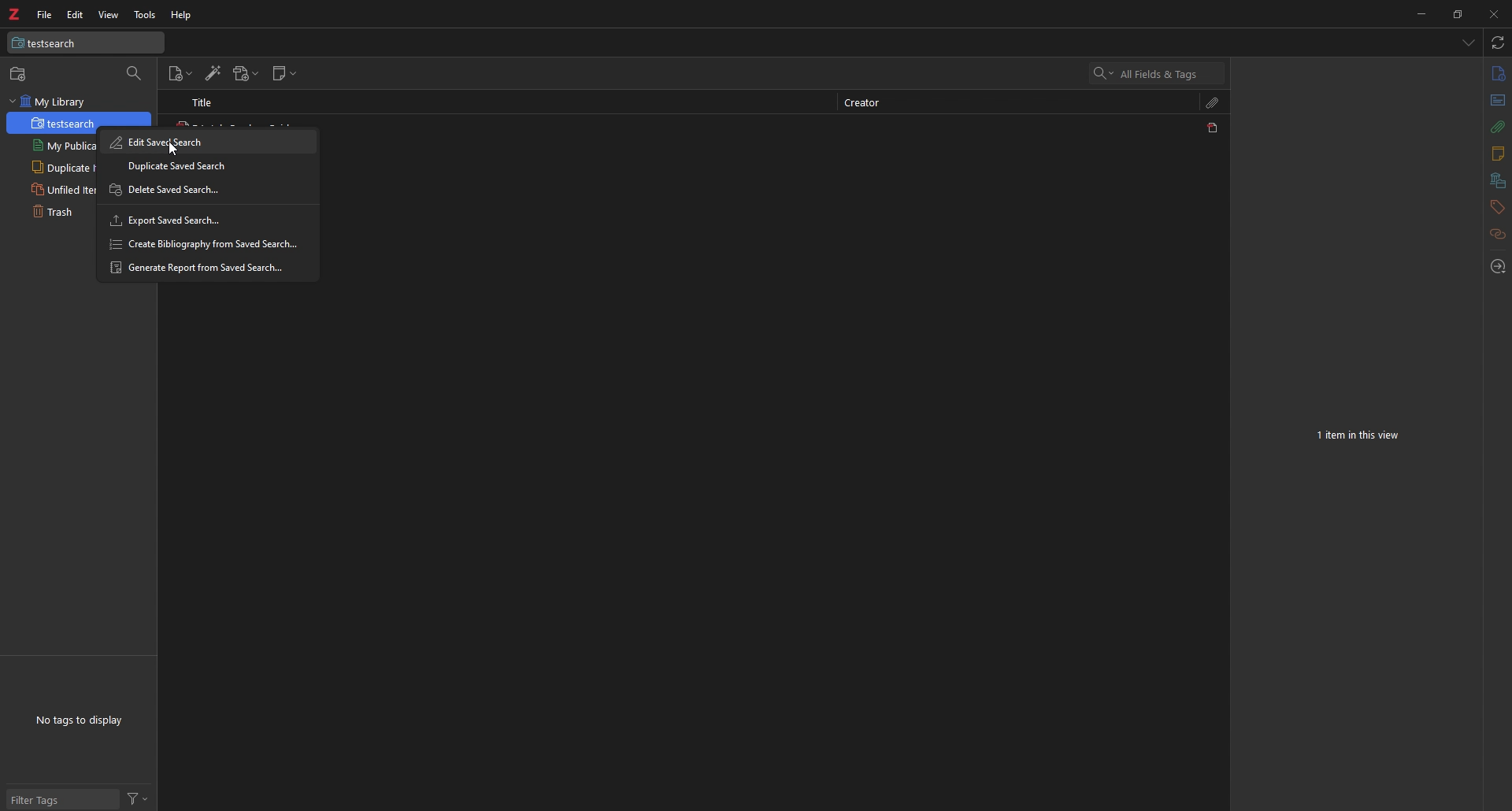 The height and width of the screenshot is (811, 1512). What do you see at coordinates (207, 142) in the screenshot?
I see `edit saved search` at bounding box center [207, 142].